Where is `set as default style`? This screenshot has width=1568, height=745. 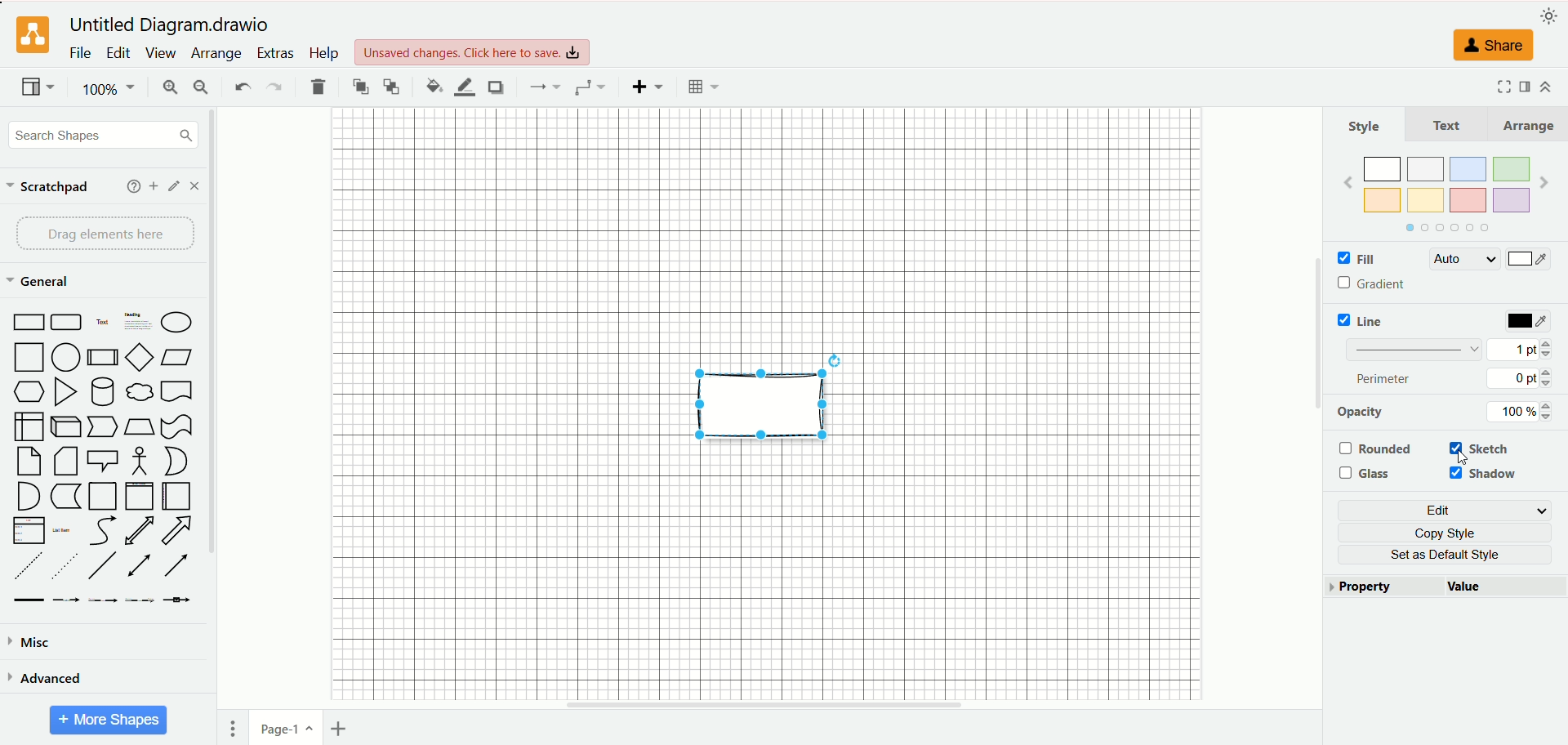 set as default style is located at coordinates (1453, 555).